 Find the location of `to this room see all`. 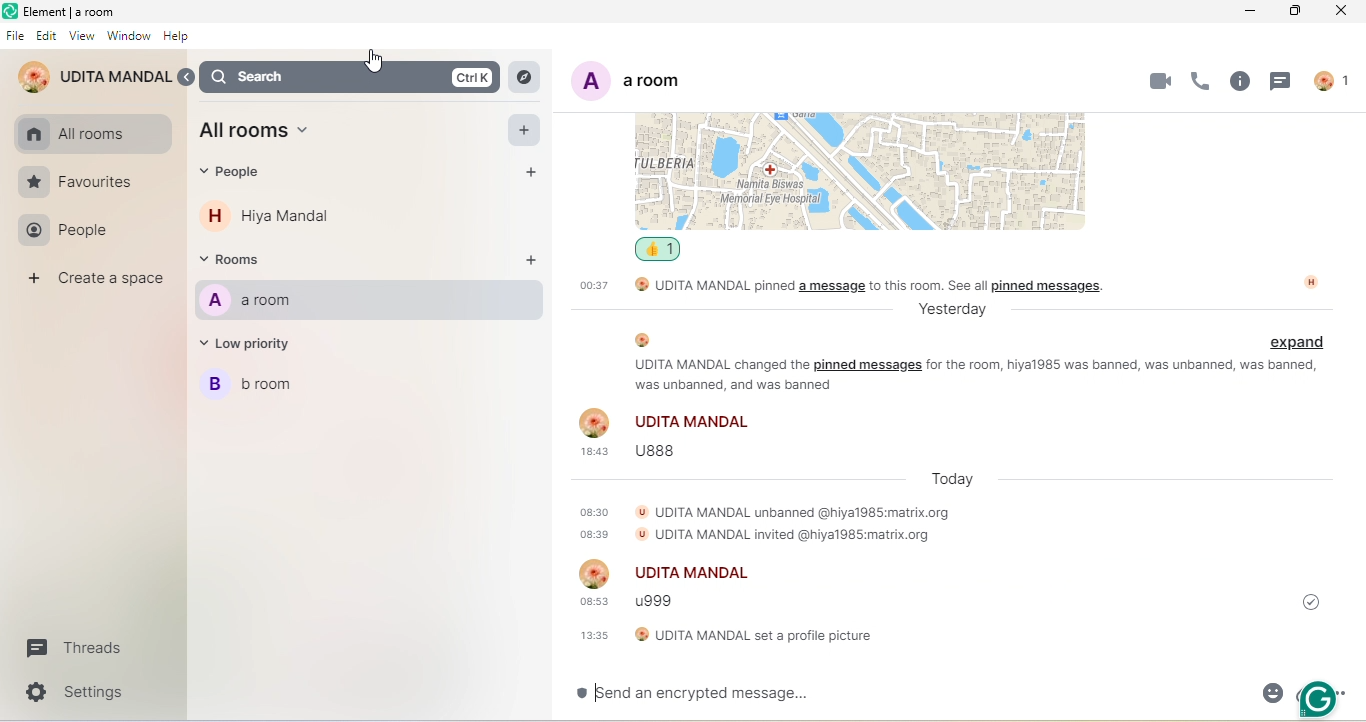

to this room see all is located at coordinates (929, 284).